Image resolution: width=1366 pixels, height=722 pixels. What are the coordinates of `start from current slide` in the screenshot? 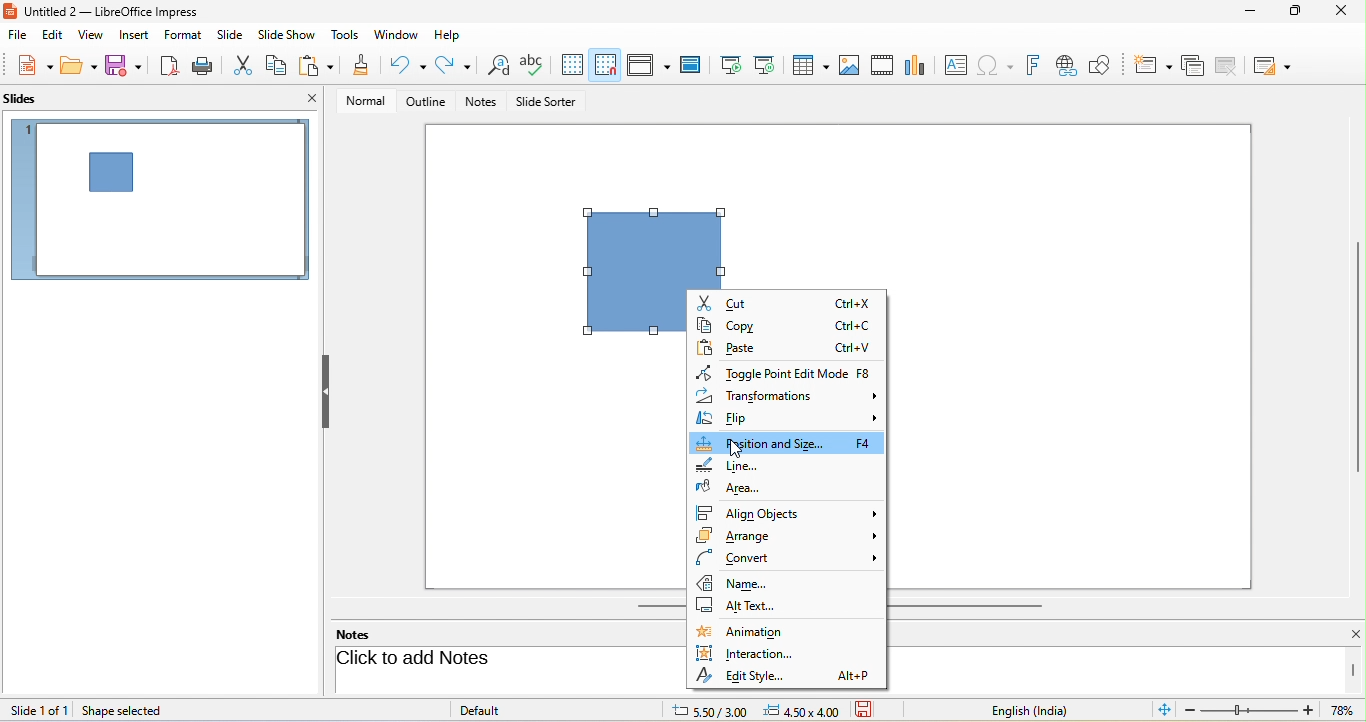 It's located at (770, 65).